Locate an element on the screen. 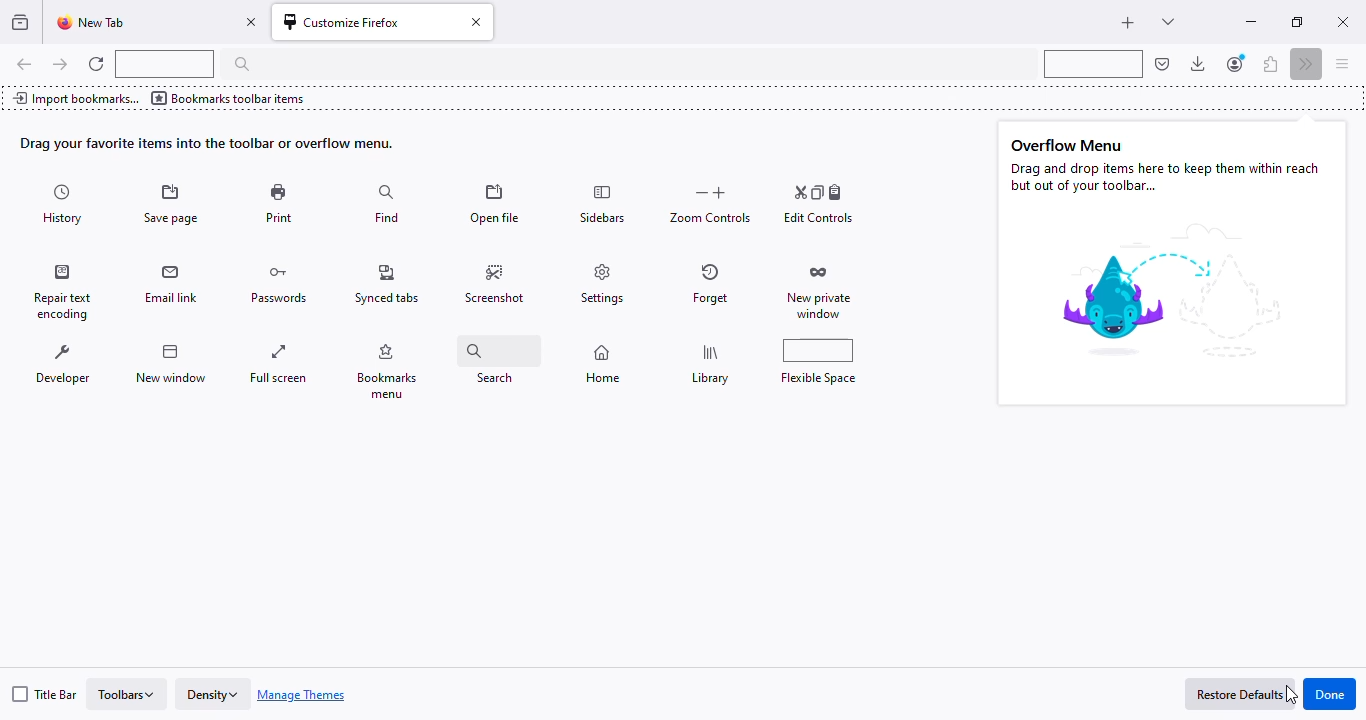 This screenshot has width=1366, height=720. drag your favorite items into the toolbar or overflow menu. is located at coordinates (207, 143).